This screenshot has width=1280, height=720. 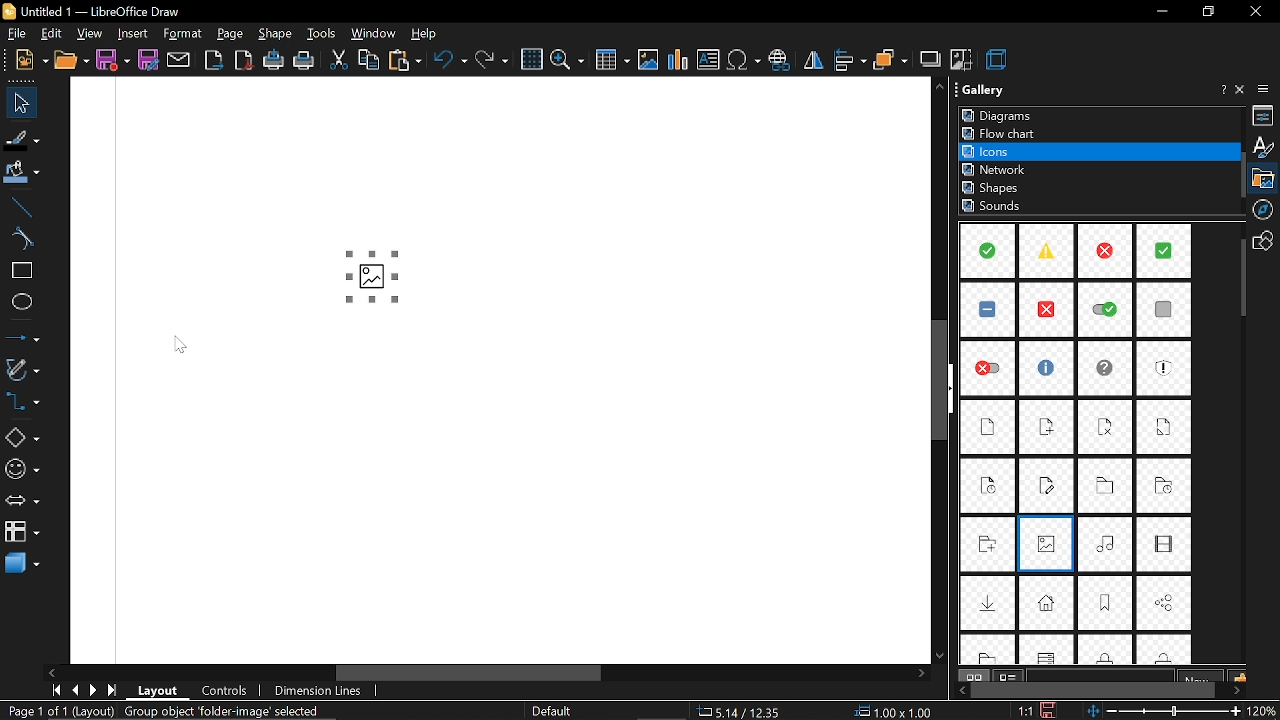 What do you see at coordinates (273, 61) in the screenshot?
I see `print directly` at bounding box center [273, 61].